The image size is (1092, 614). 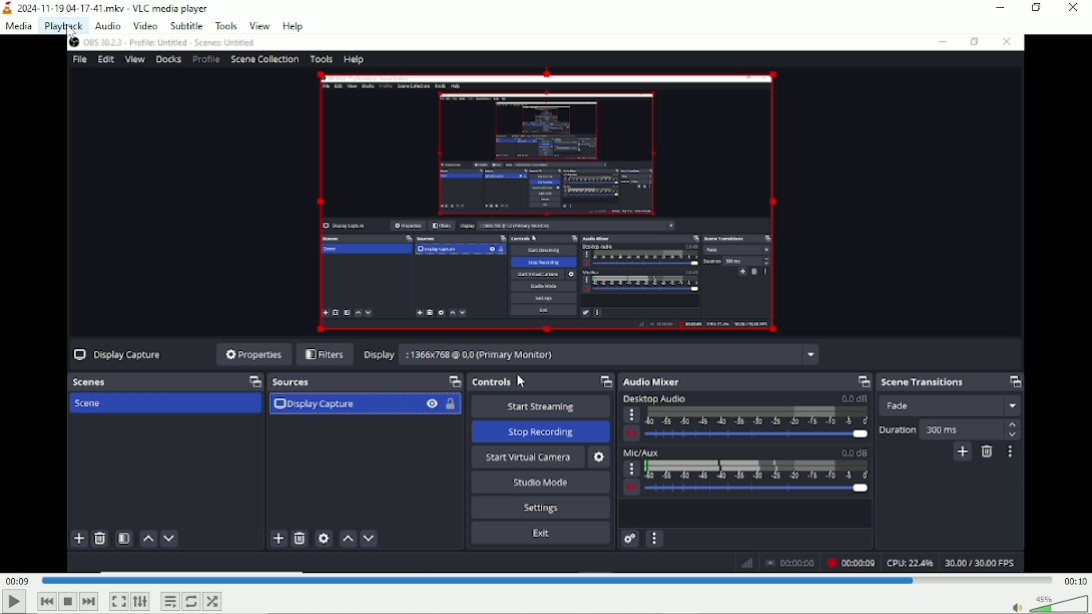 What do you see at coordinates (107, 25) in the screenshot?
I see `Audio` at bounding box center [107, 25].